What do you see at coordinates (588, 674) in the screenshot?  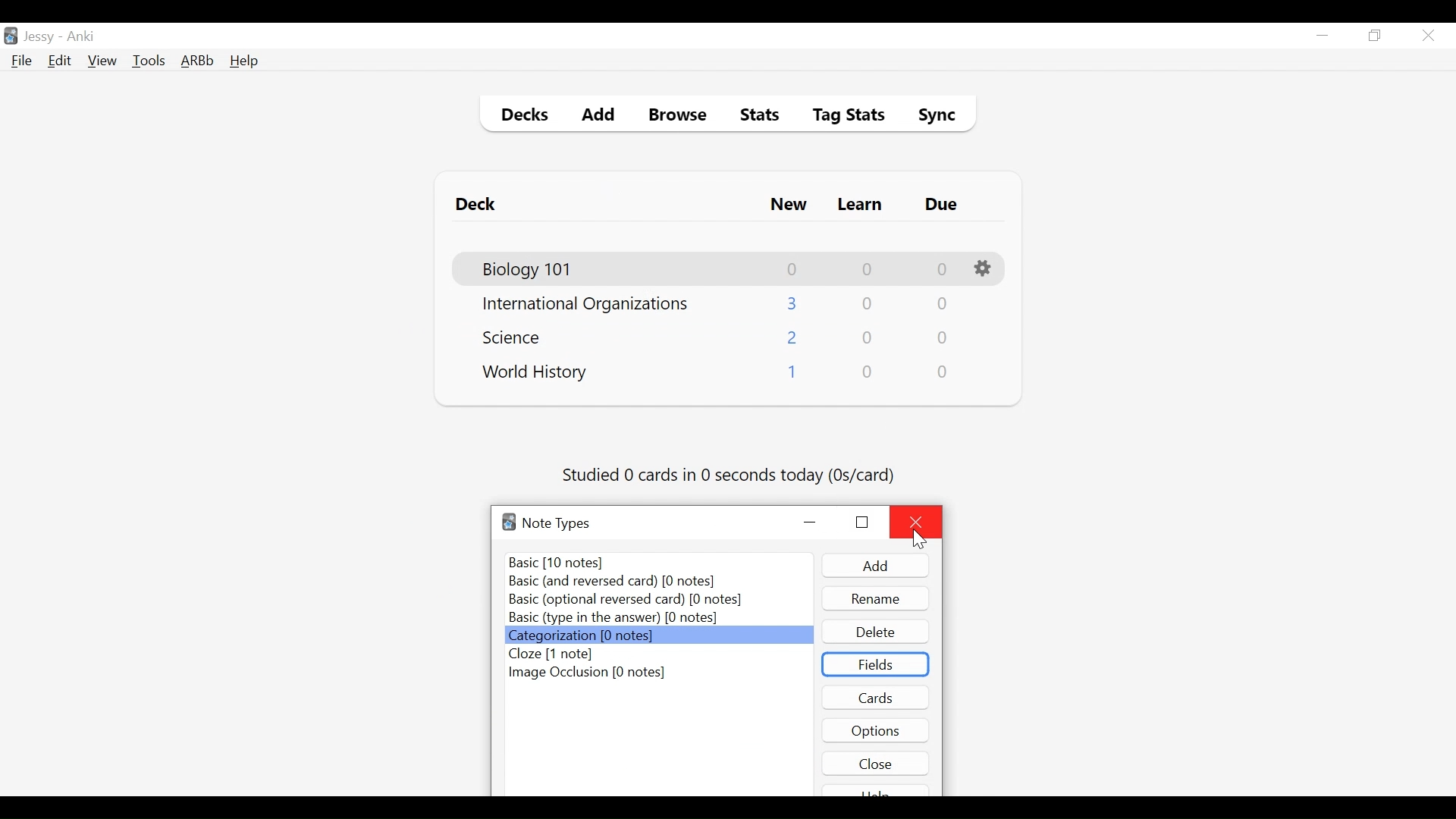 I see `Image Occlusion` at bounding box center [588, 674].